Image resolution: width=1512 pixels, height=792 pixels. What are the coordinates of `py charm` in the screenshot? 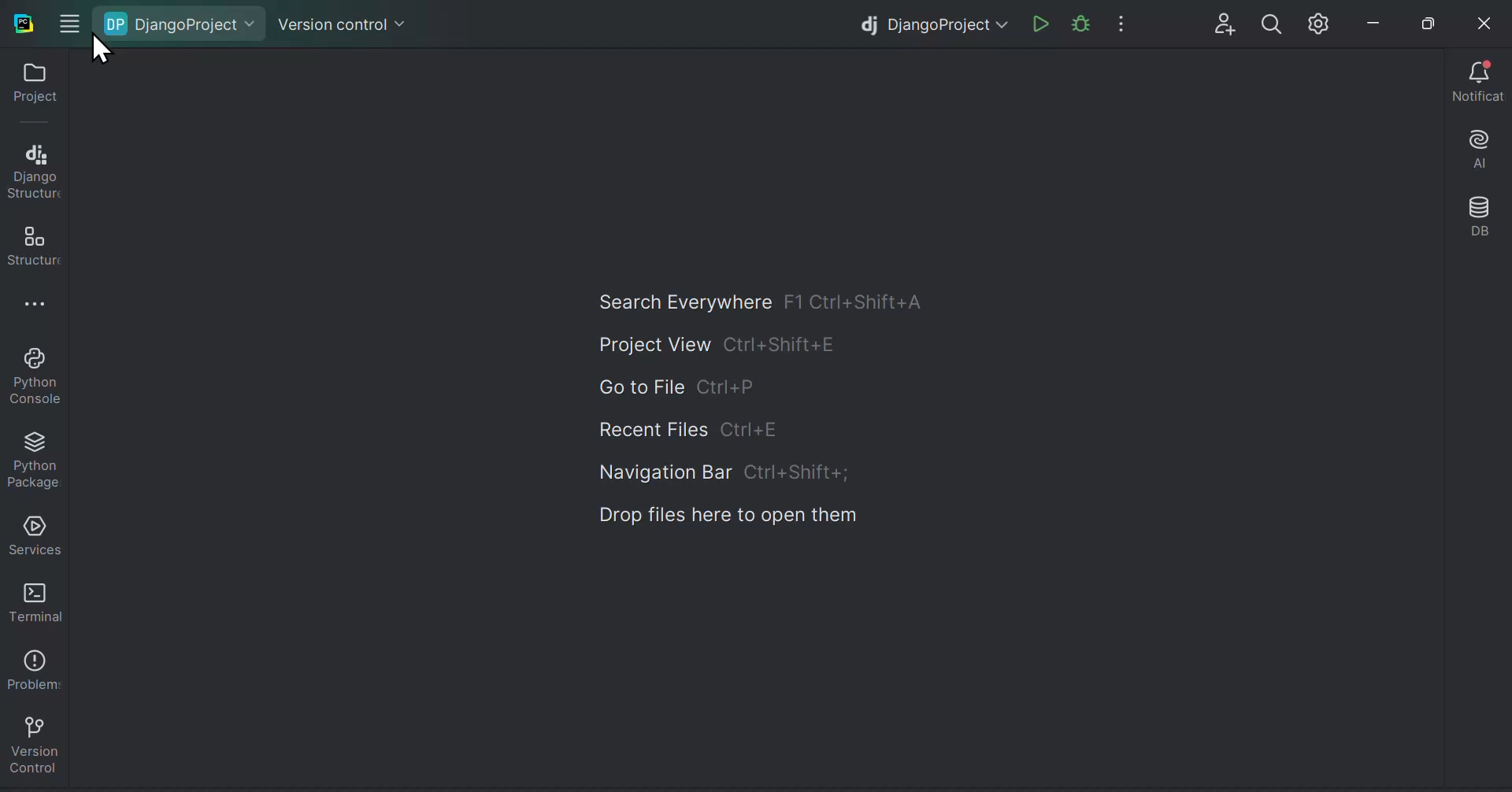 It's located at (25, 21).